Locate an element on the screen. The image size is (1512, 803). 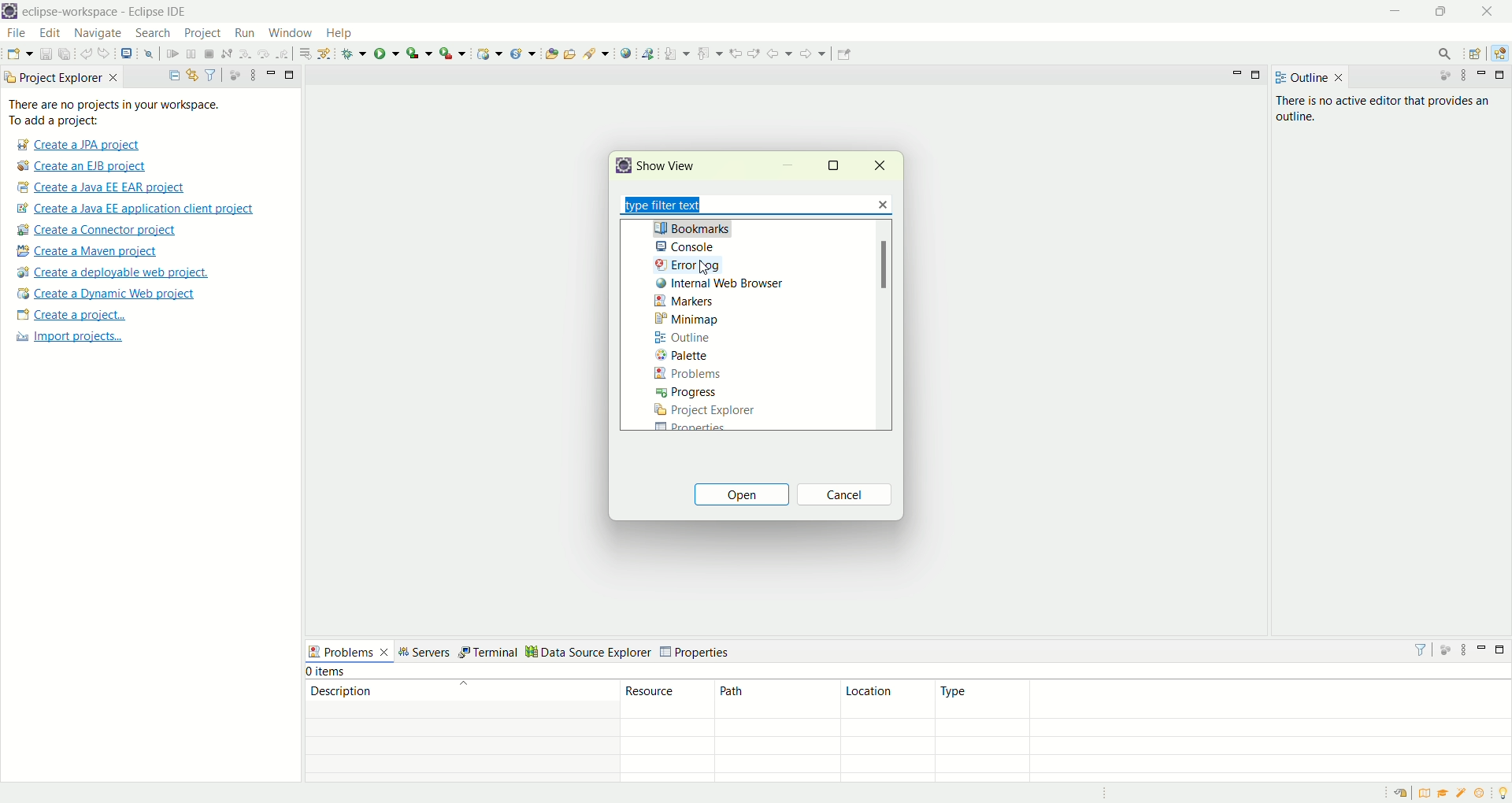
there is no active editor that provides an outline is located at coordinates (1389, 106).